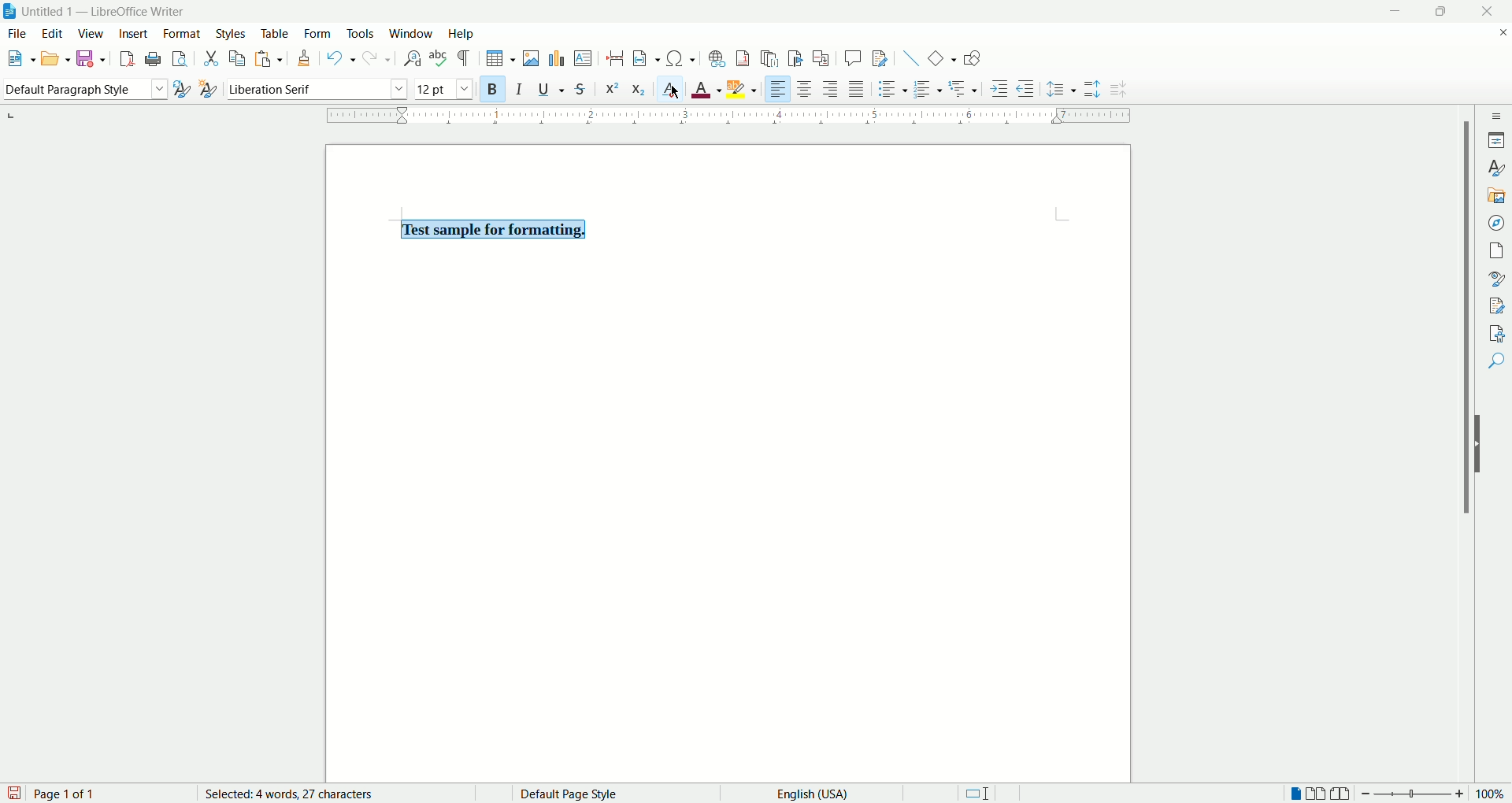 This screenshot has width=1512, height=803. What do you see at coordinates (1495, 225) in the screenshot?
I see `navigator` at bounding box center [1495, 225].